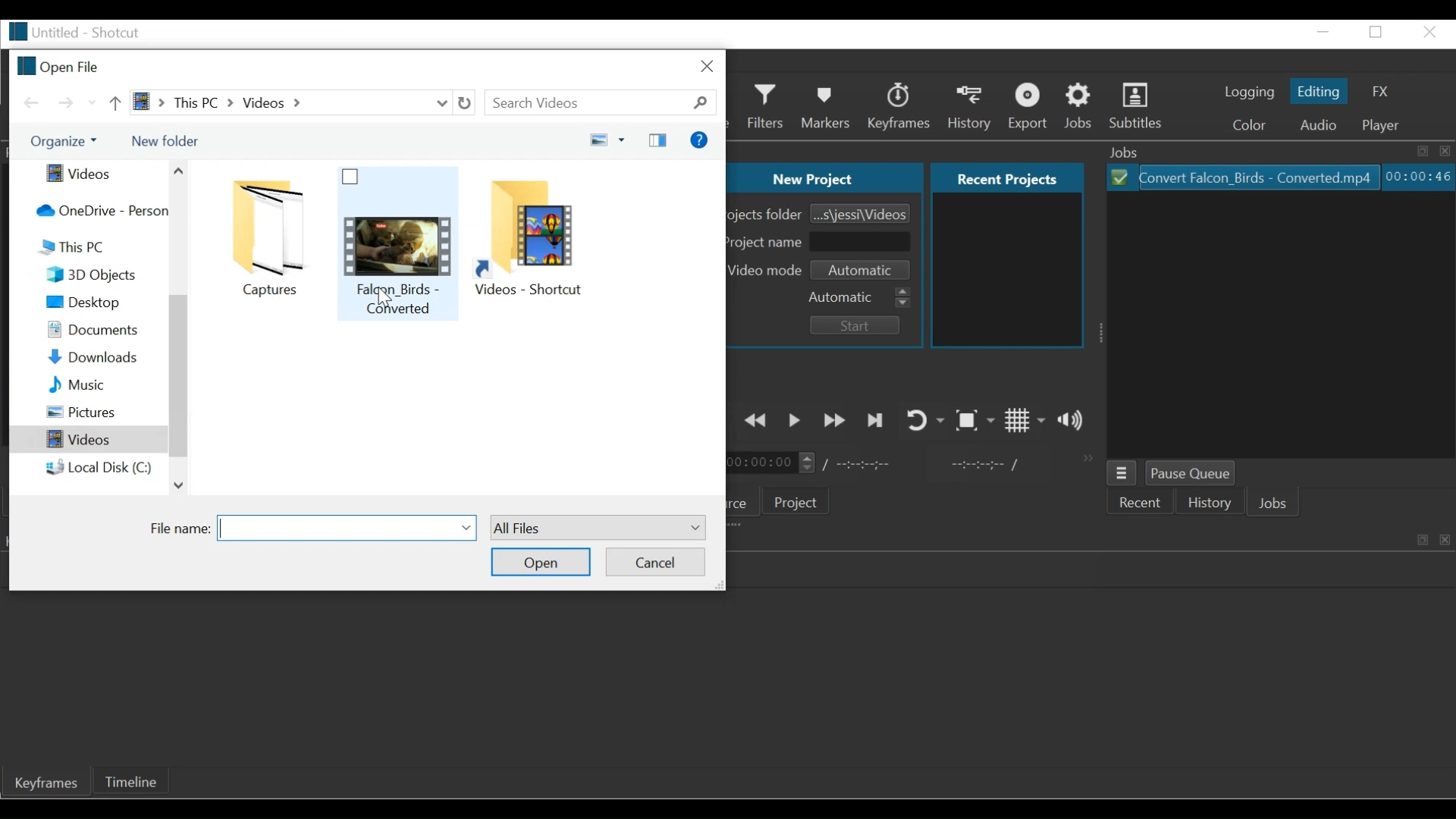 This screenshot has width=1456, height=819. I want to click on This PC, so click(99, 247).